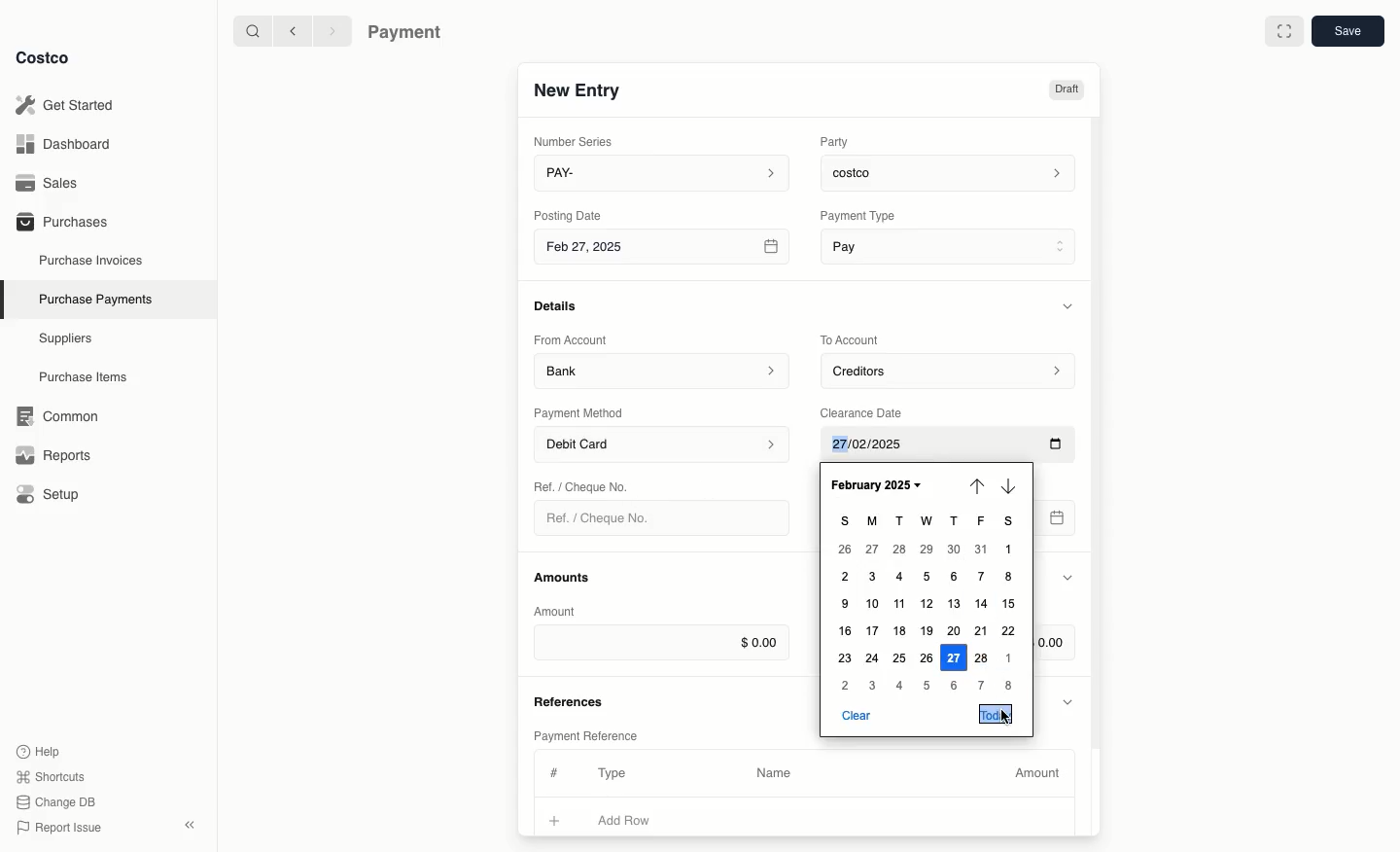 The width and height of the screenshot is (1400, 852). Describe the element at coordinates (54, 496) in the screenshot. I see `Setup` at that location.